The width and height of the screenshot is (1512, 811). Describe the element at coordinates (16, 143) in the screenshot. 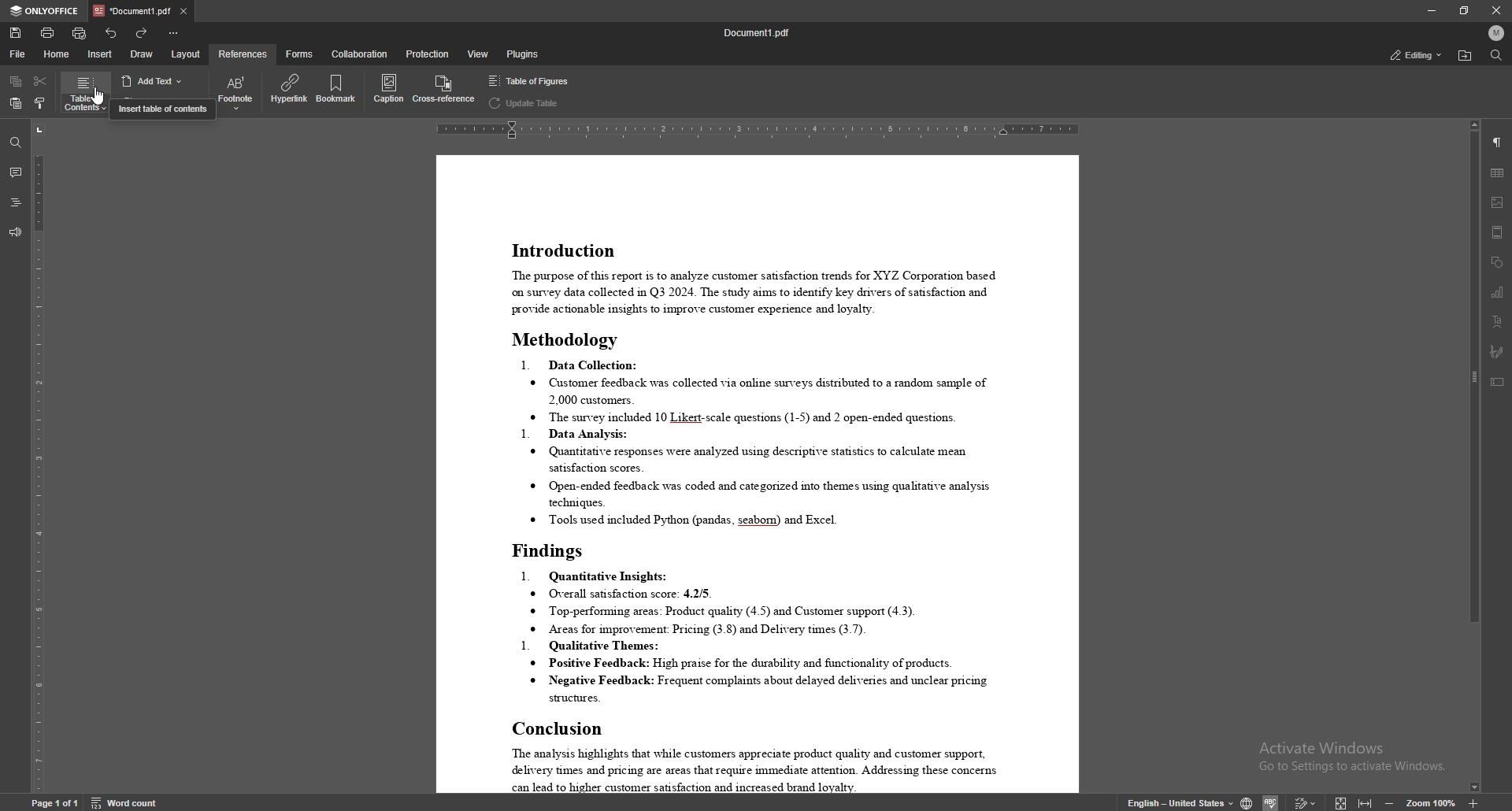

I see `find` at that location.